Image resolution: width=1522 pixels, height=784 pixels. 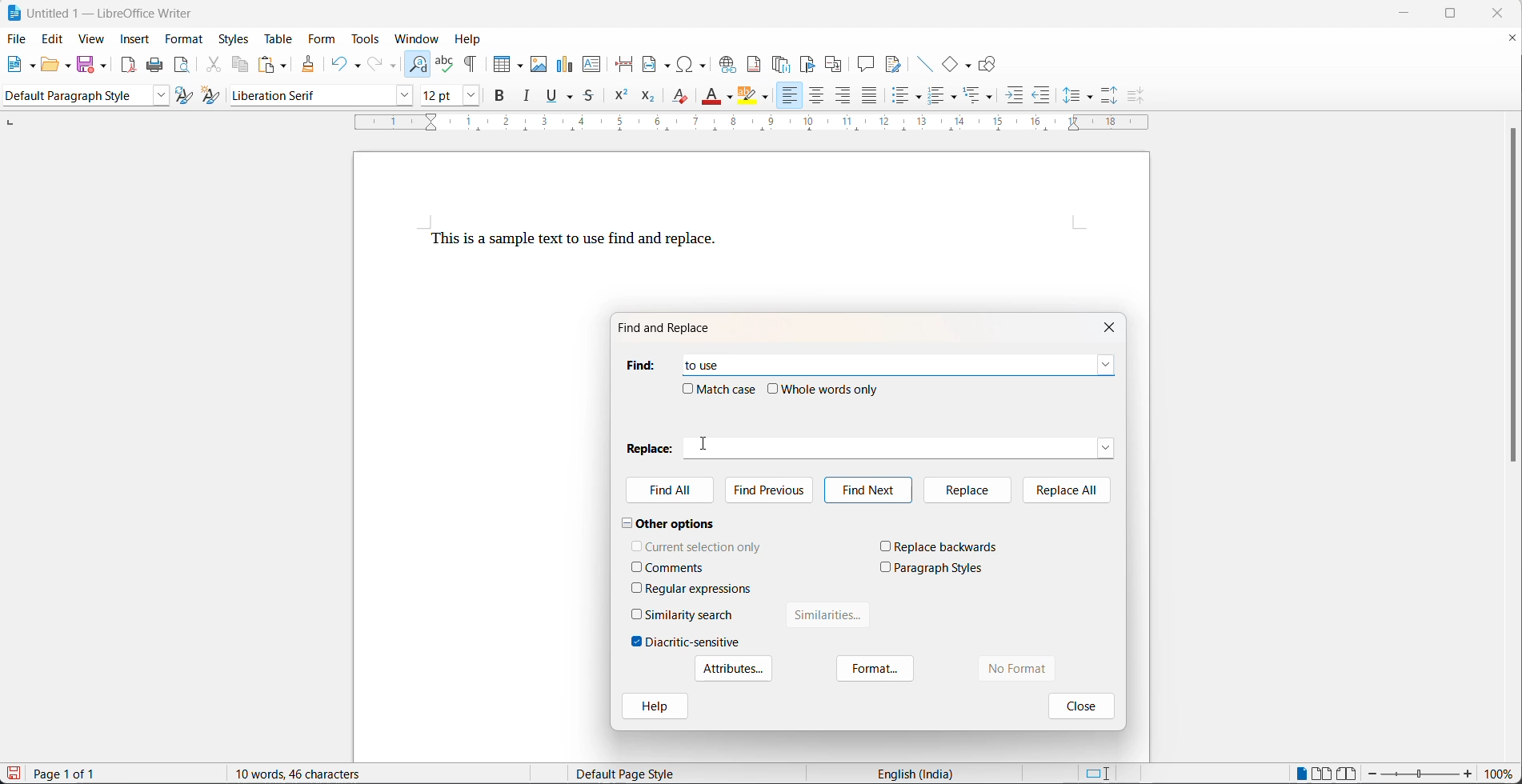 What do you see at coordinates (831, 389) in the screenshot?
I see `whole words only` at bounding box center [831, 389].